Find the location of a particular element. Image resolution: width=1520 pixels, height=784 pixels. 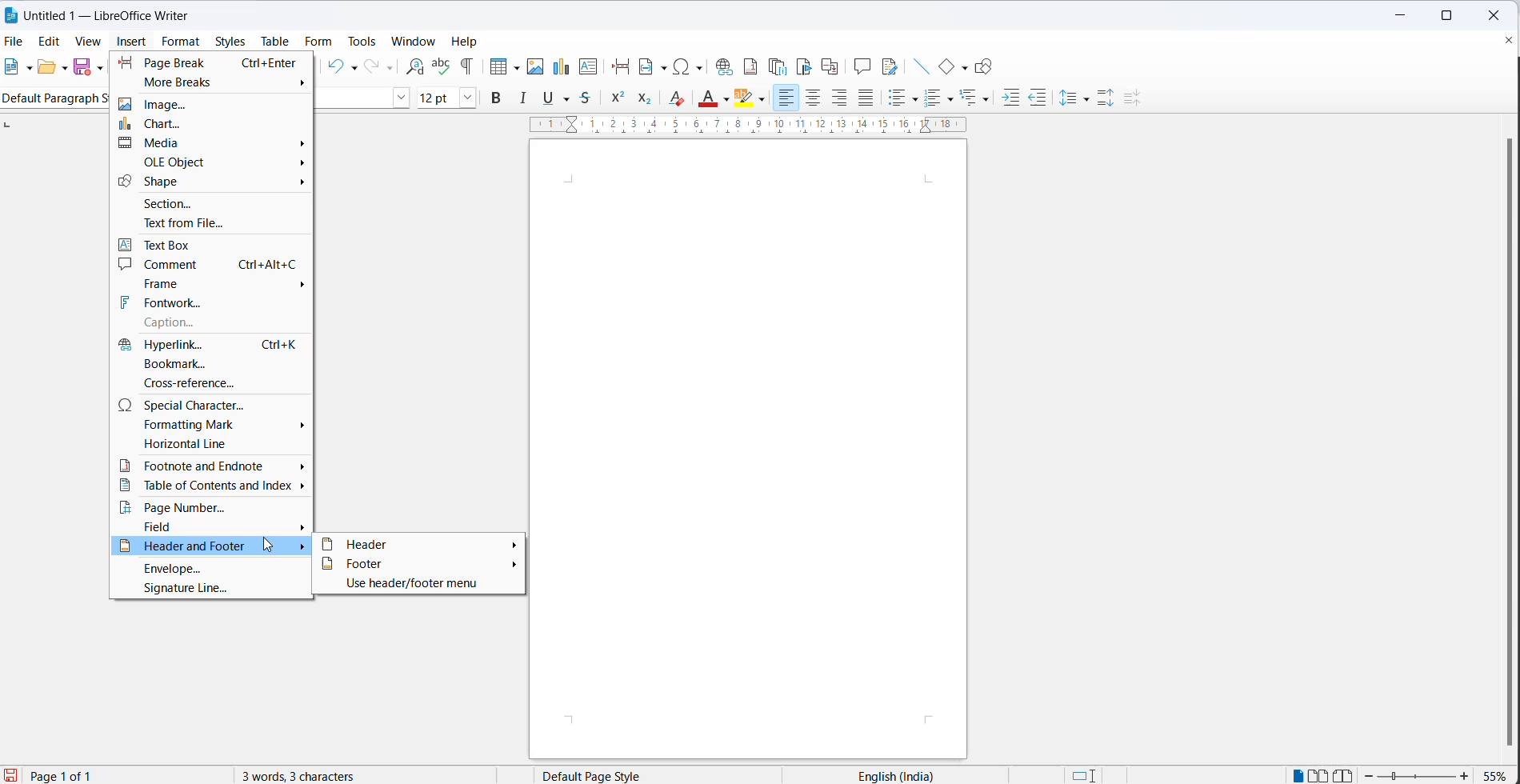

insert cell is located at coordinates (495, 66).